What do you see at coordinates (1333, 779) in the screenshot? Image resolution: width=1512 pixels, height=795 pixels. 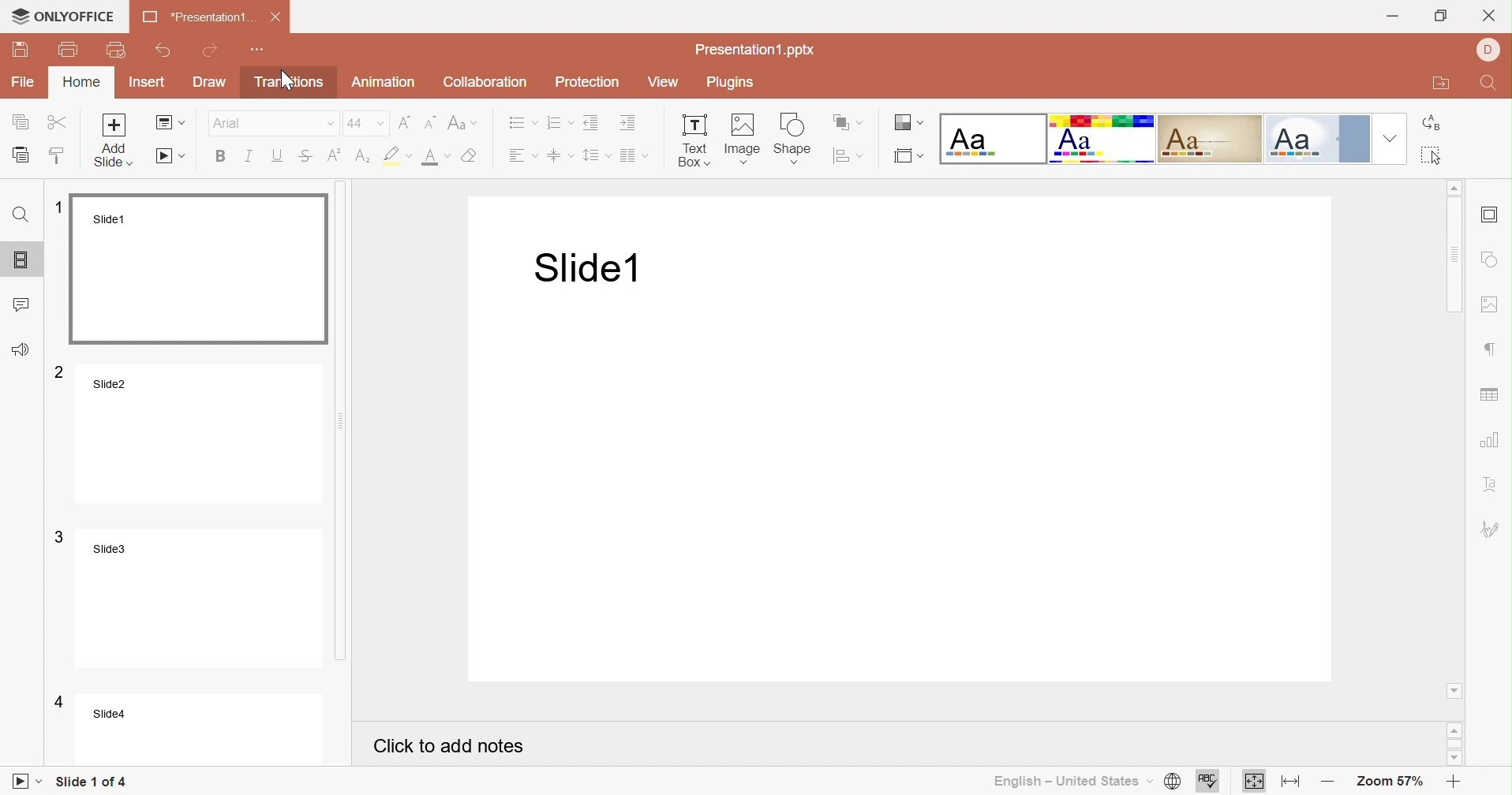 I see `Zoom out` at bounding box center [1333, 779].